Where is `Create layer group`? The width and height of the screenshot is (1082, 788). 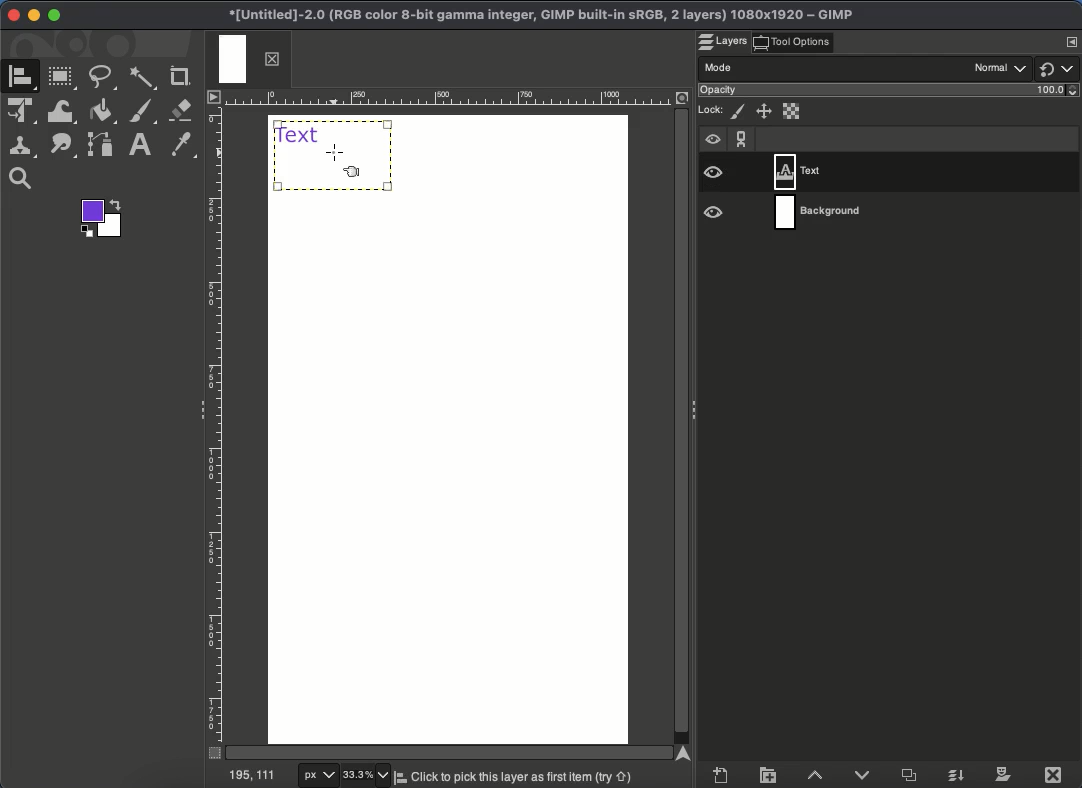
Create layer group is located at coordinates (768, 774).